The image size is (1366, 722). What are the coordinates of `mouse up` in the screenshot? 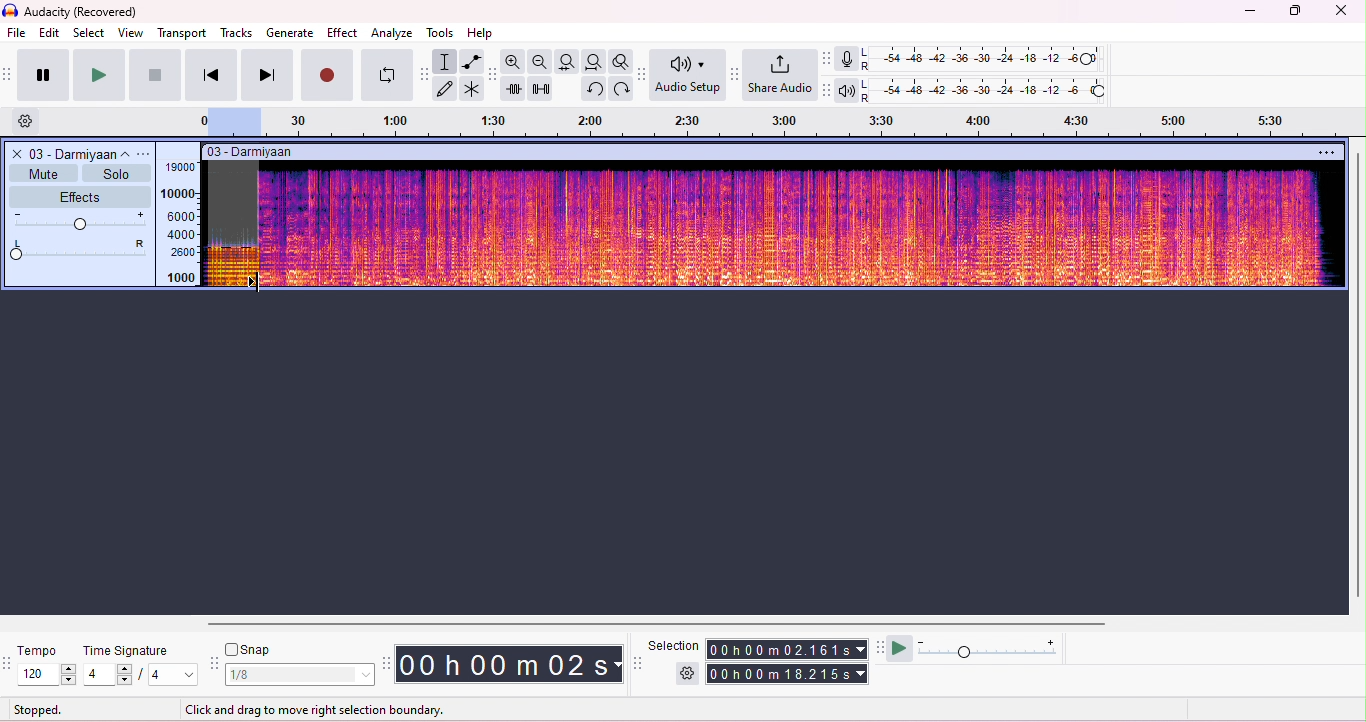 It's located at (255, 283).